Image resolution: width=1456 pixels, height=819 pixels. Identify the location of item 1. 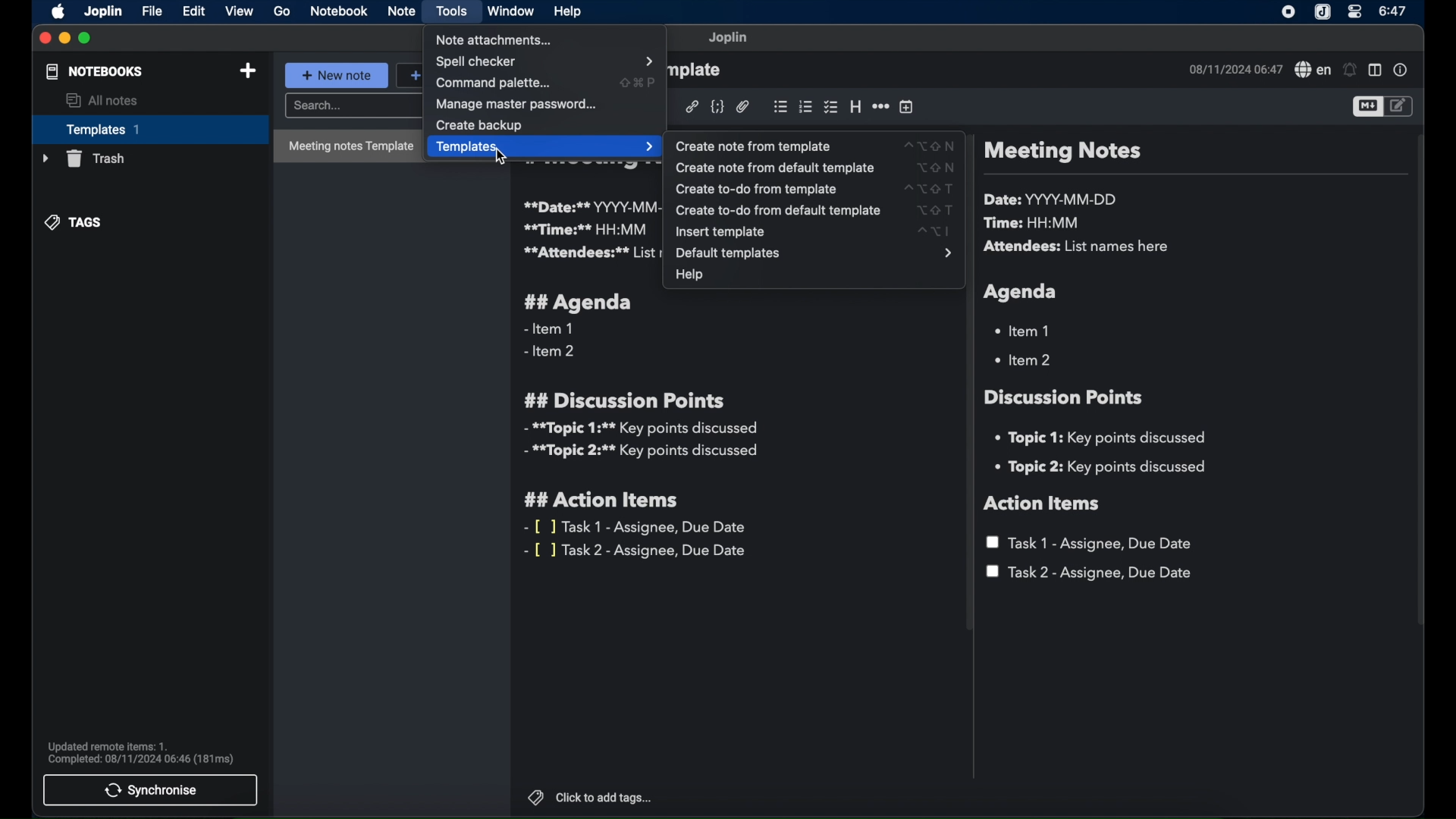
(1025, 330).